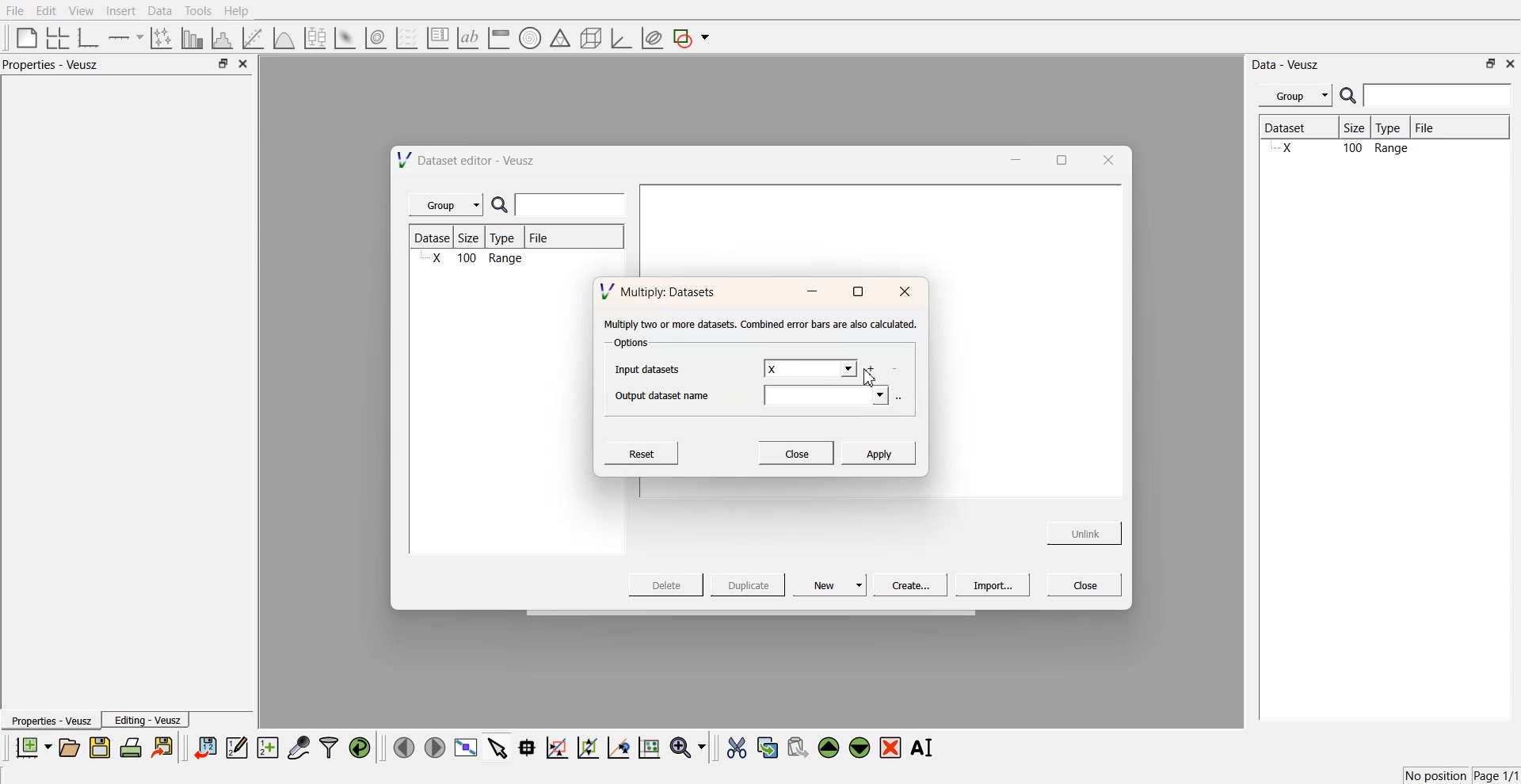  What do you see at coordinates (314, 36) in the screenshot?
I see `plot a boxplot` at bounding box center [314, 36].